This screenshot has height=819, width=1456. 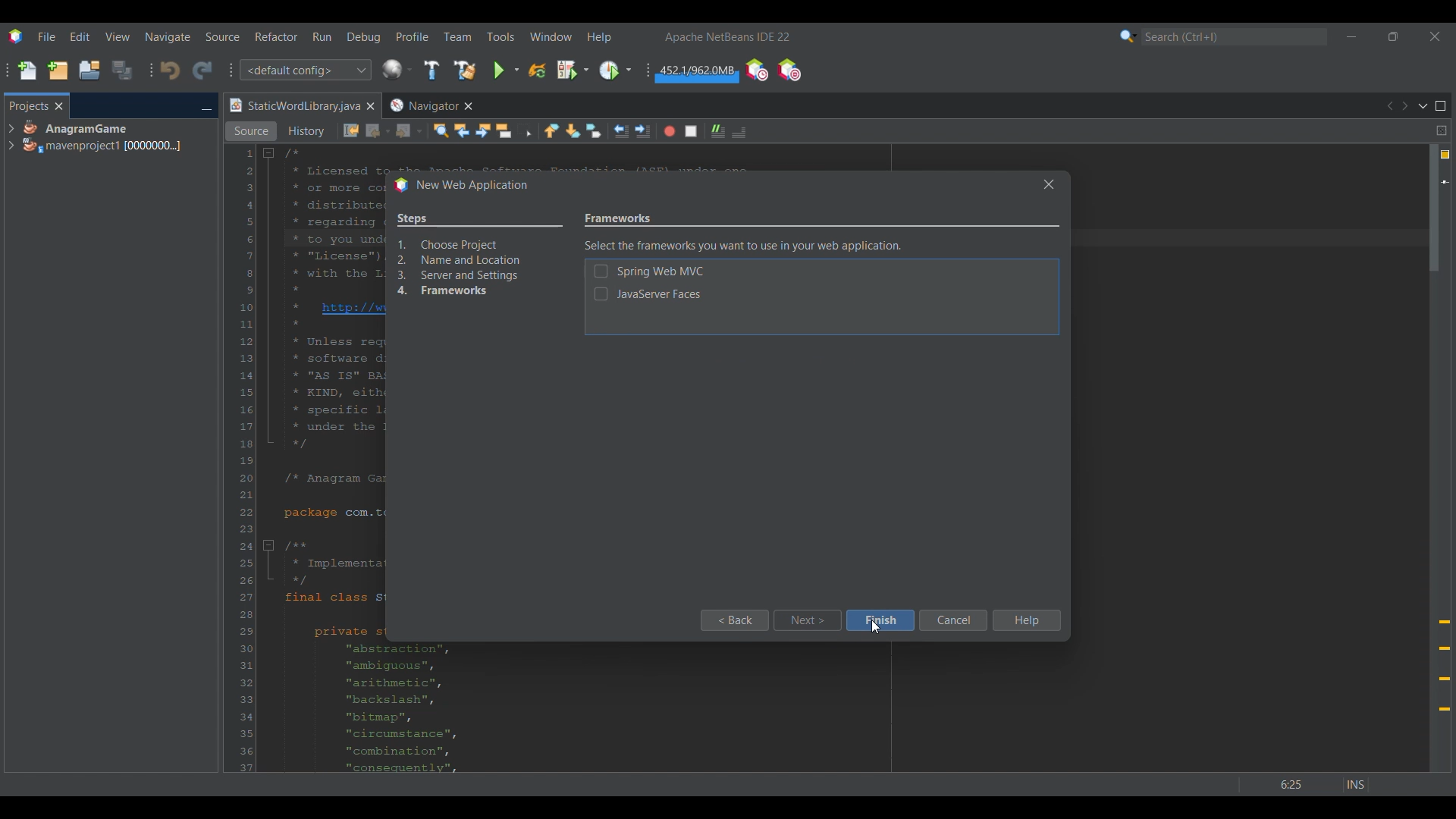 I want to click on , so click(x=1313, y=780).